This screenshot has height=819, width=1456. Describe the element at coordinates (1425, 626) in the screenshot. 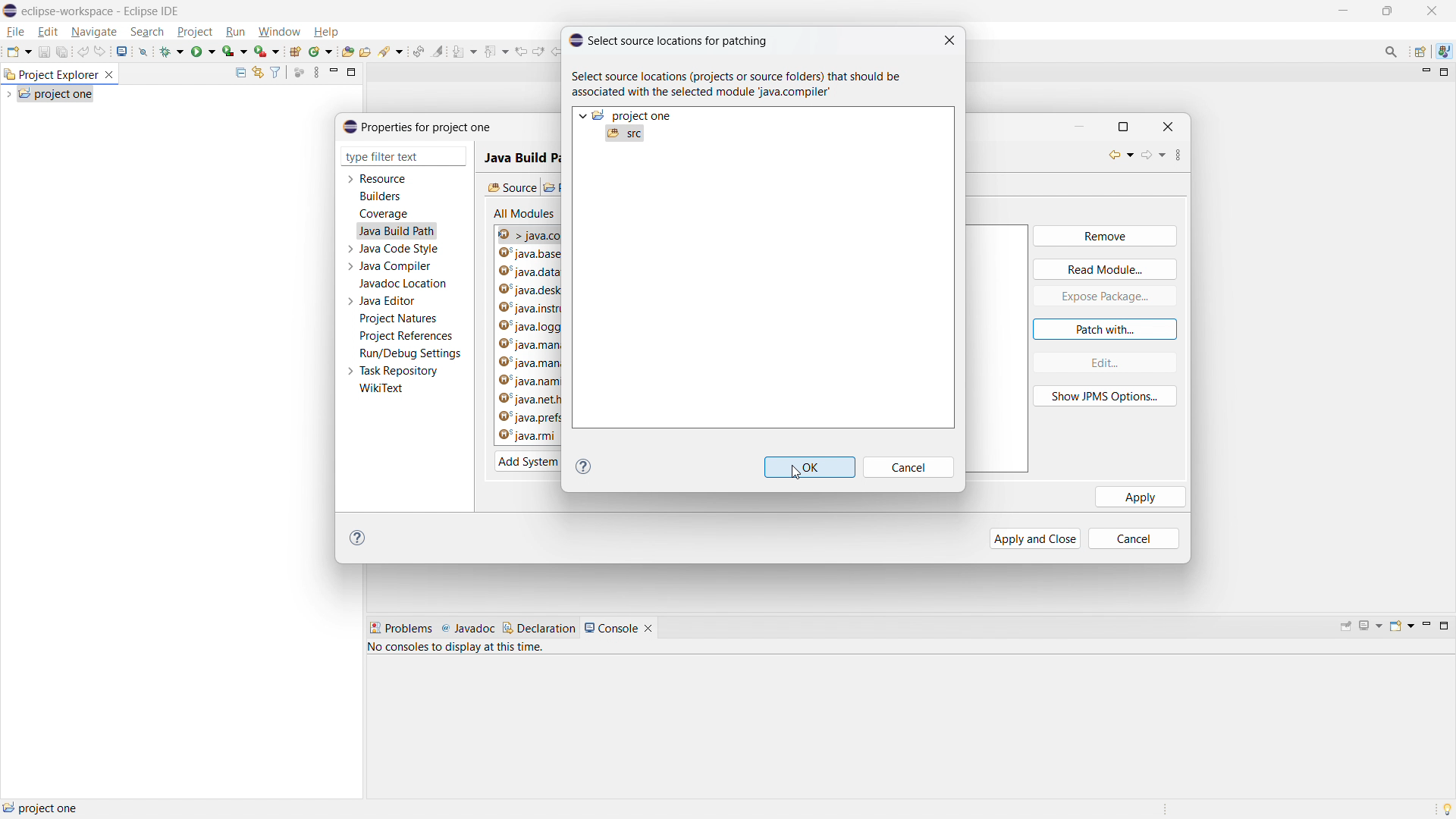

I see `minimize` at that location.